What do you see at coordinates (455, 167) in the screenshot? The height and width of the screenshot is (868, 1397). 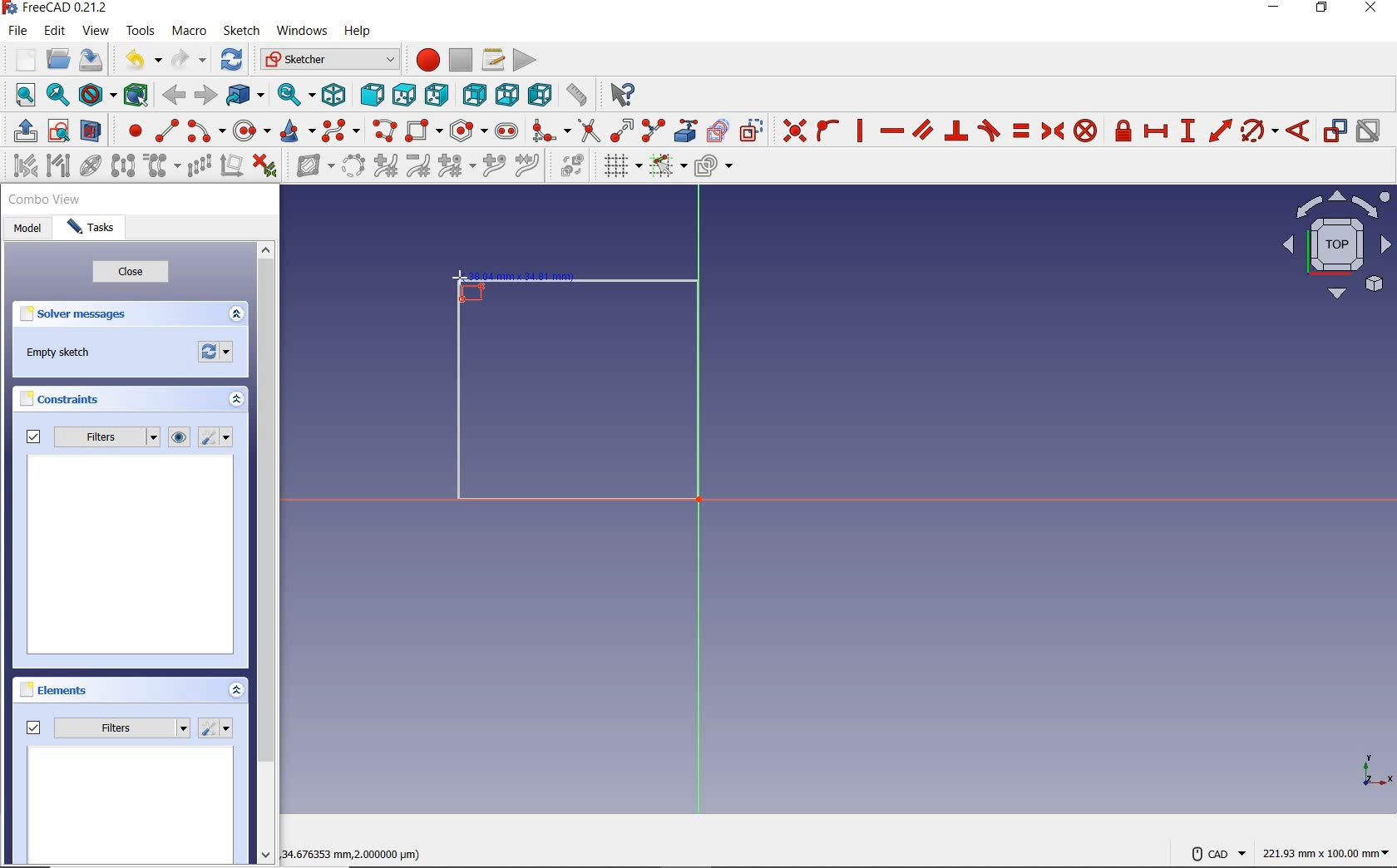 I see `modify knot multiplicity` at bounding box center [455, 167].